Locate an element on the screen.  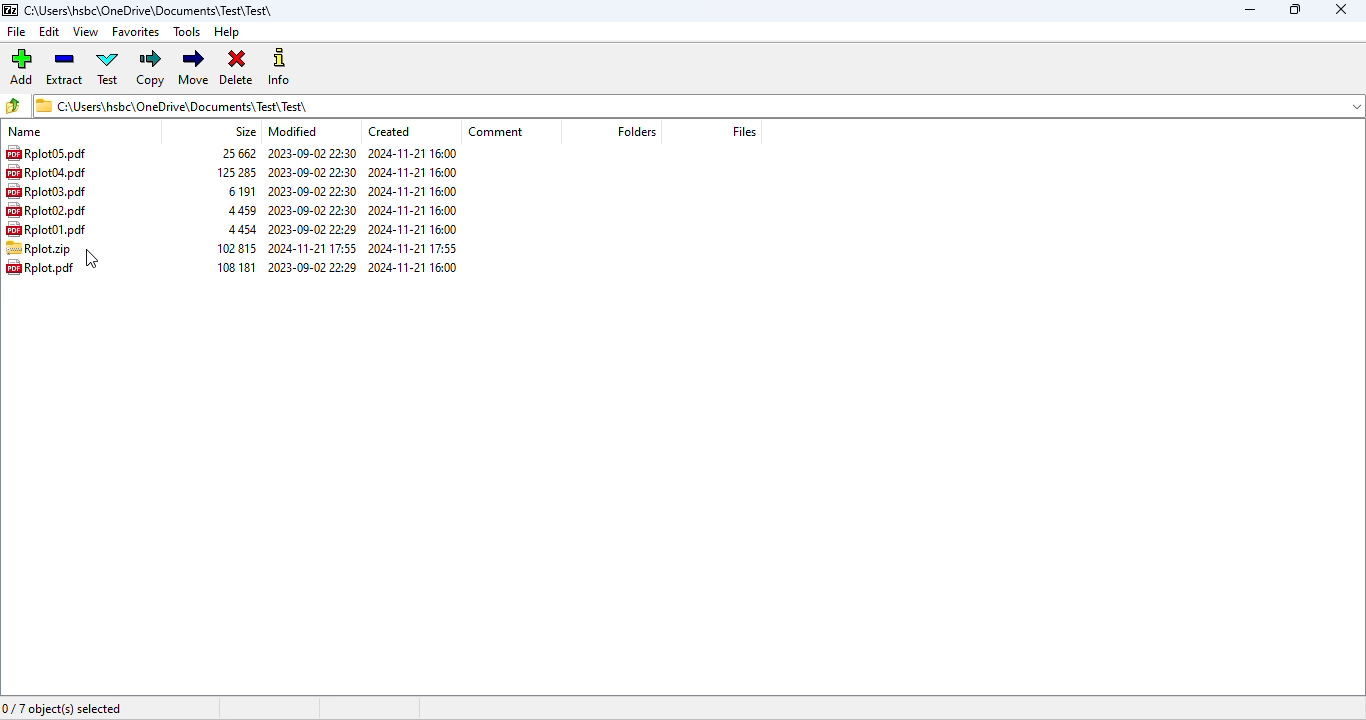
move is located at coordinates (195, 67).